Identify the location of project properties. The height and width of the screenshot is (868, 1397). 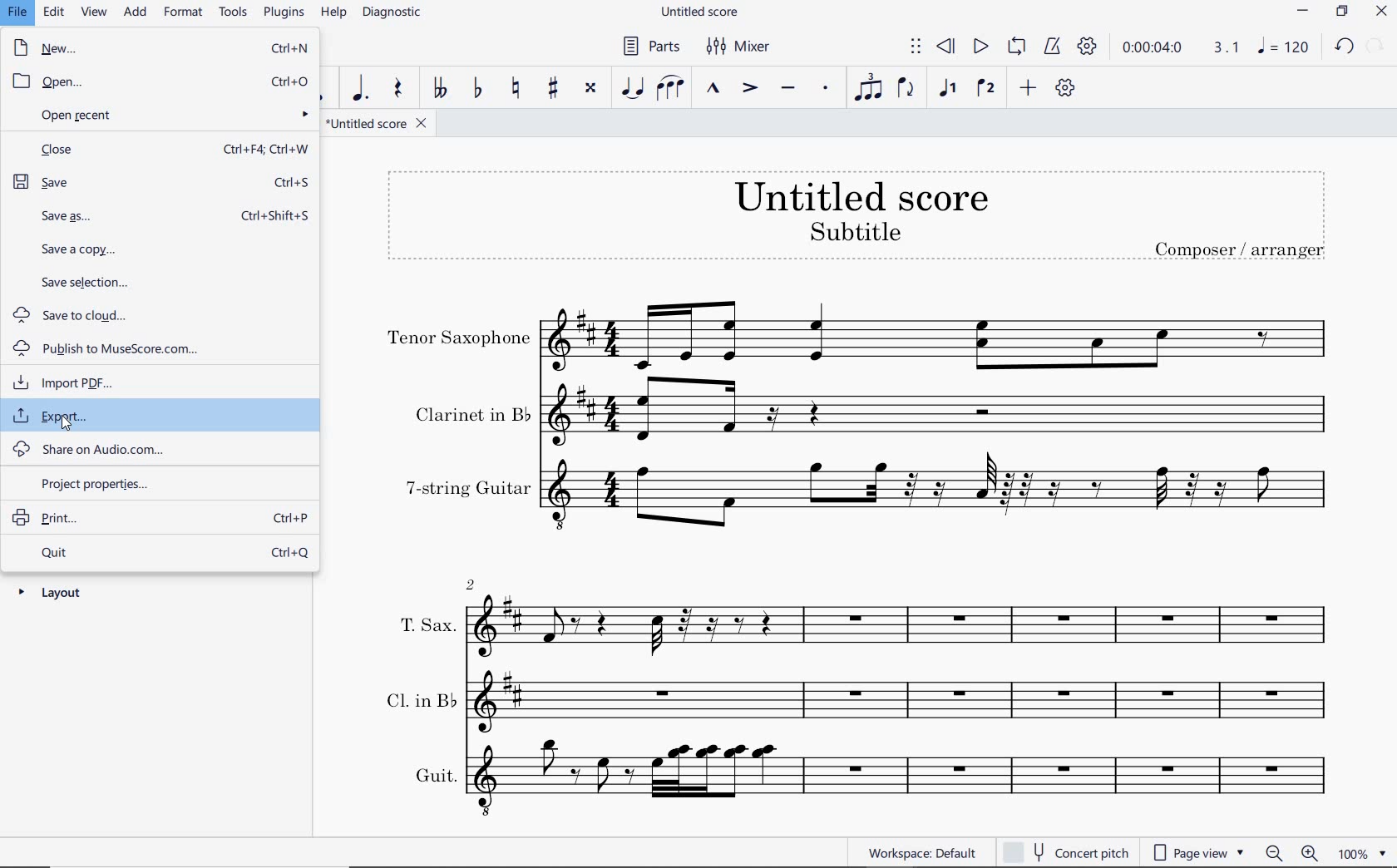
(161, 481).